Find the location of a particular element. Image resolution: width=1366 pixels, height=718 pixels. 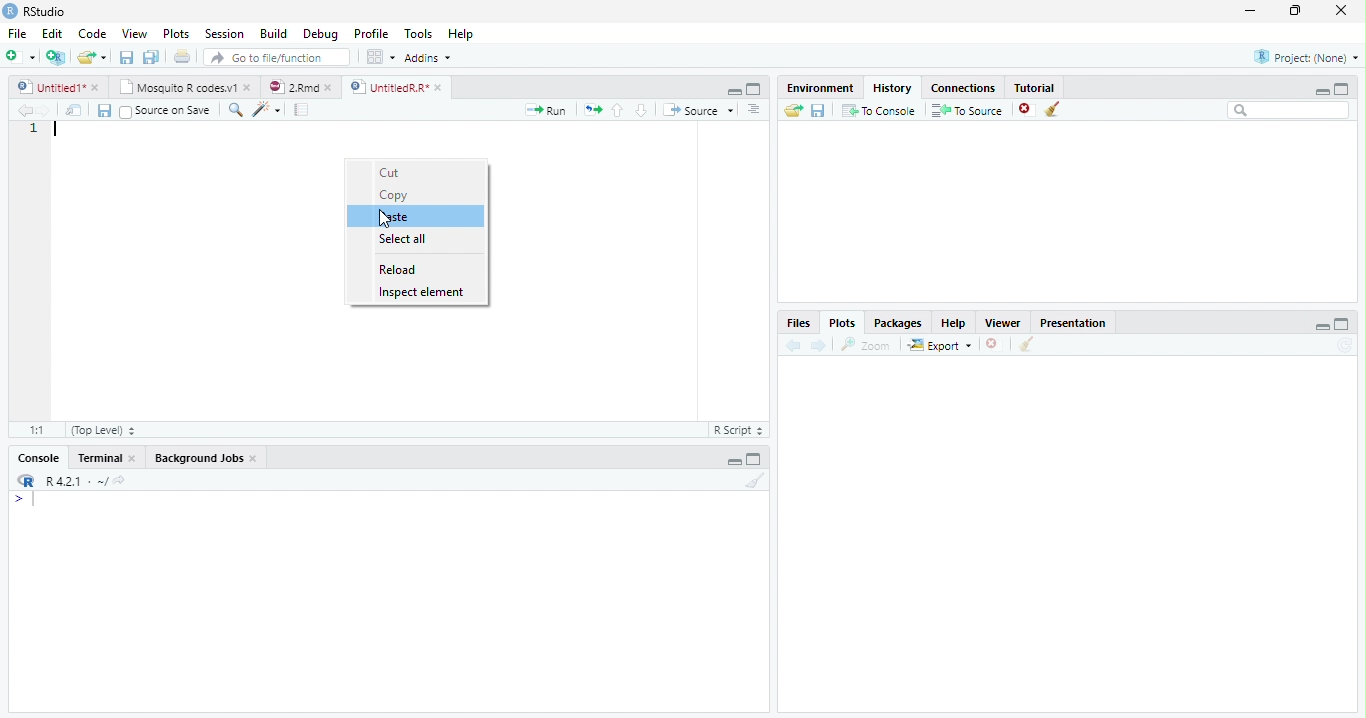

Create file is located at coordinates (21, 58).